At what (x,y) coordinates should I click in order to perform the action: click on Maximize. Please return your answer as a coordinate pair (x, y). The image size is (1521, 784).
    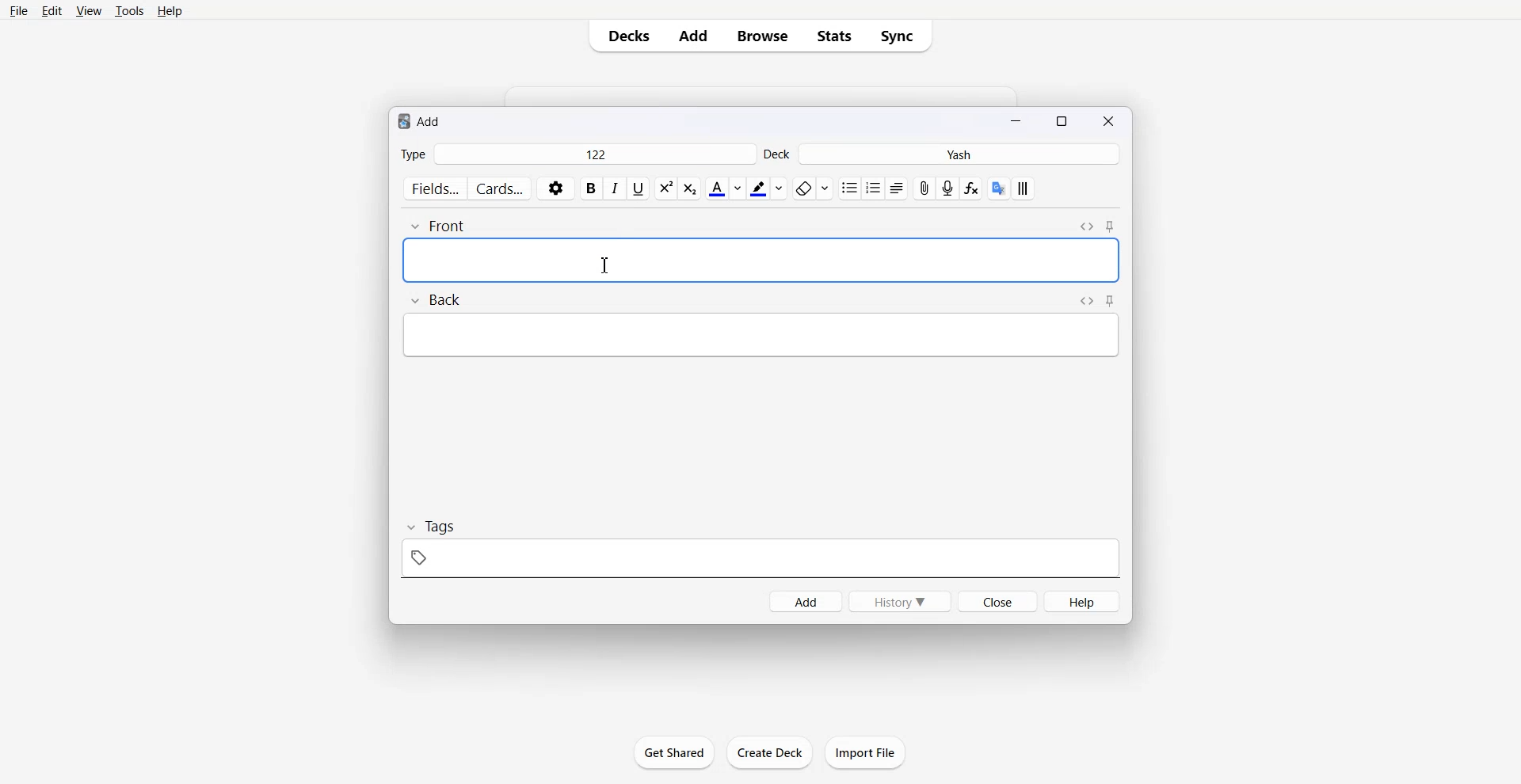
    Looking at the image, I should click on (1065, 120).